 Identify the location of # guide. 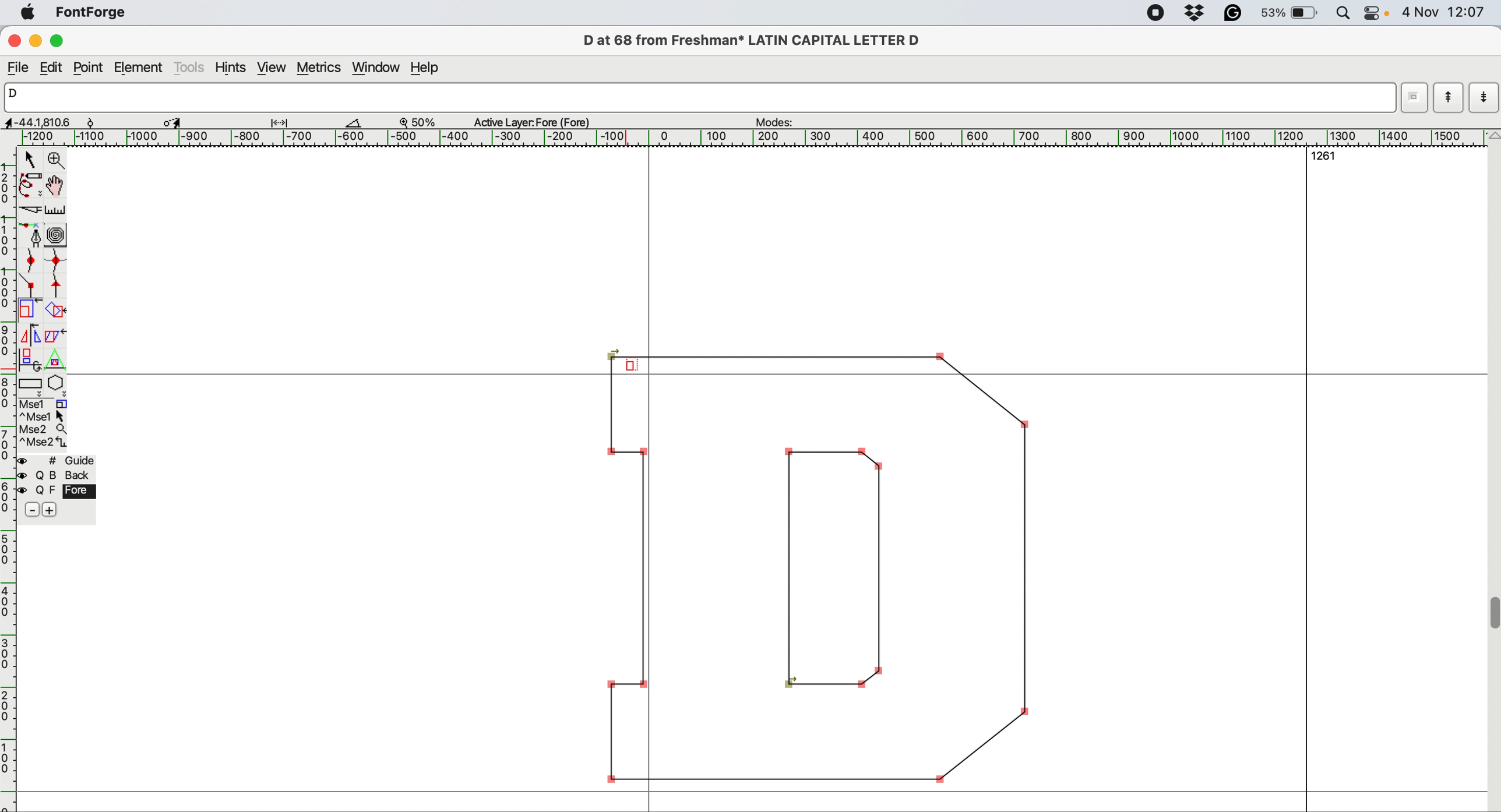
(61, 461).